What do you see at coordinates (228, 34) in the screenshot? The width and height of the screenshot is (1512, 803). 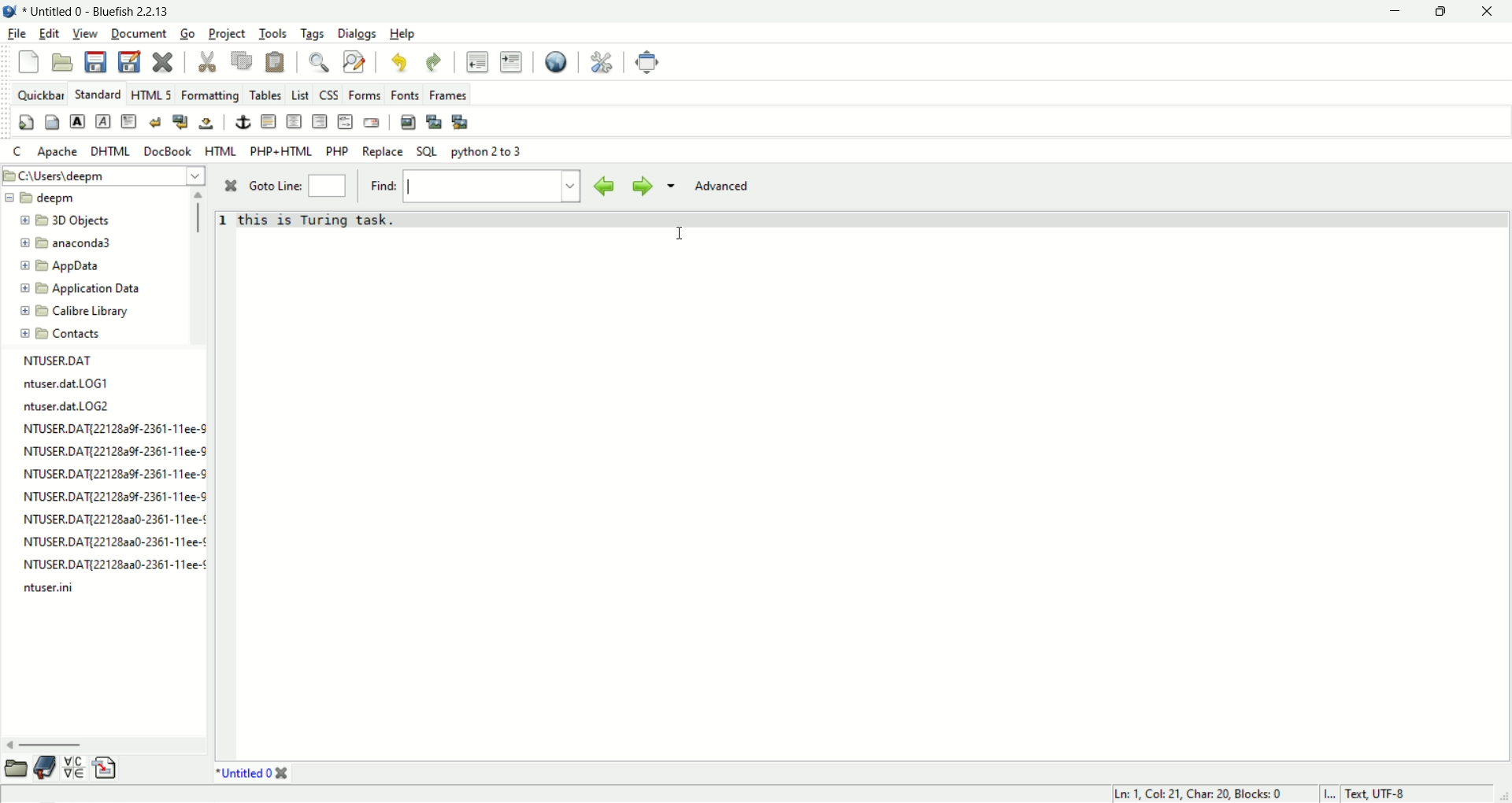 I see `project` at bounding box center [228, 34].